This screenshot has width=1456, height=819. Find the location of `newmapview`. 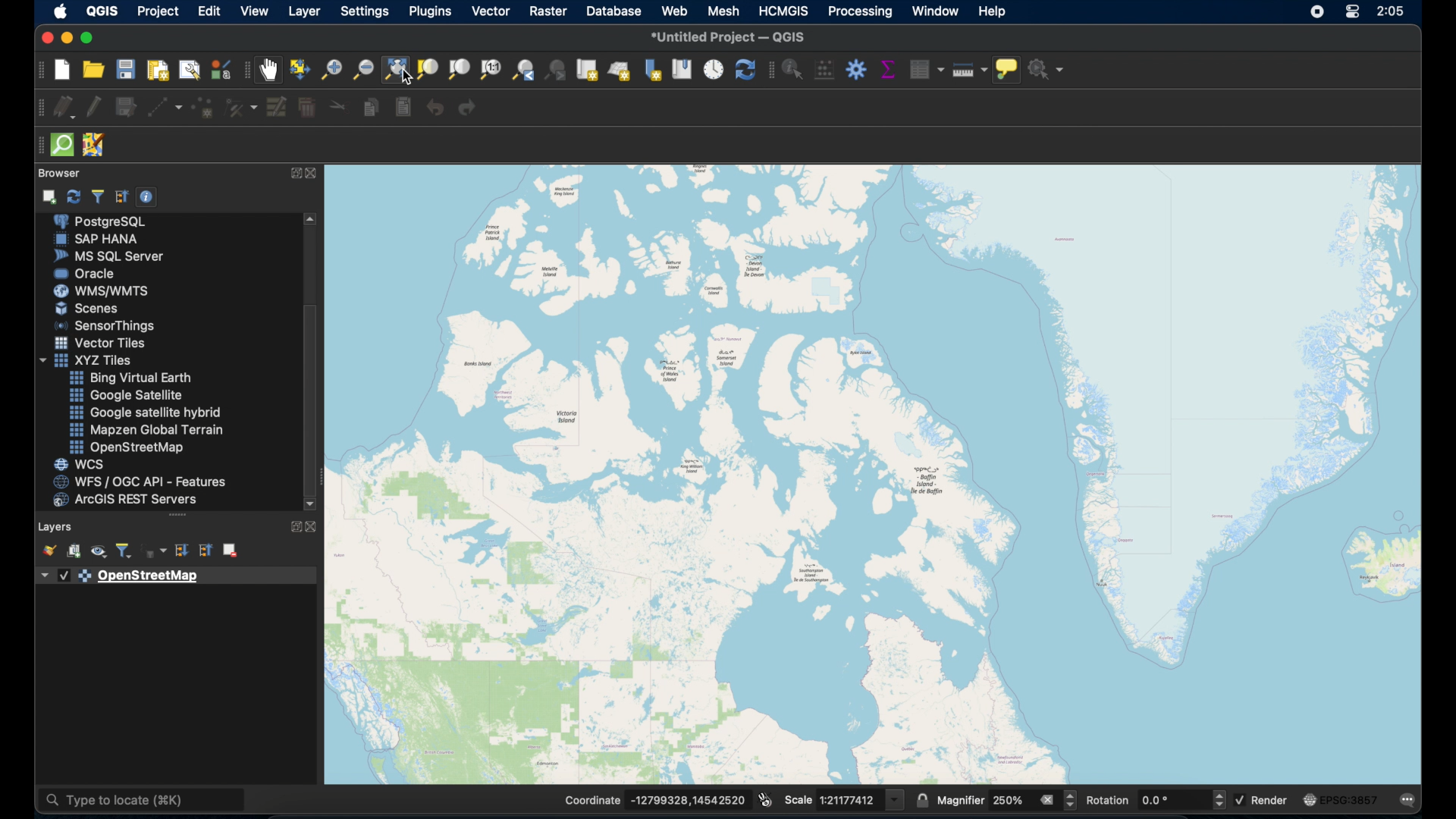

newmapview is located at coordinates (588, 69).